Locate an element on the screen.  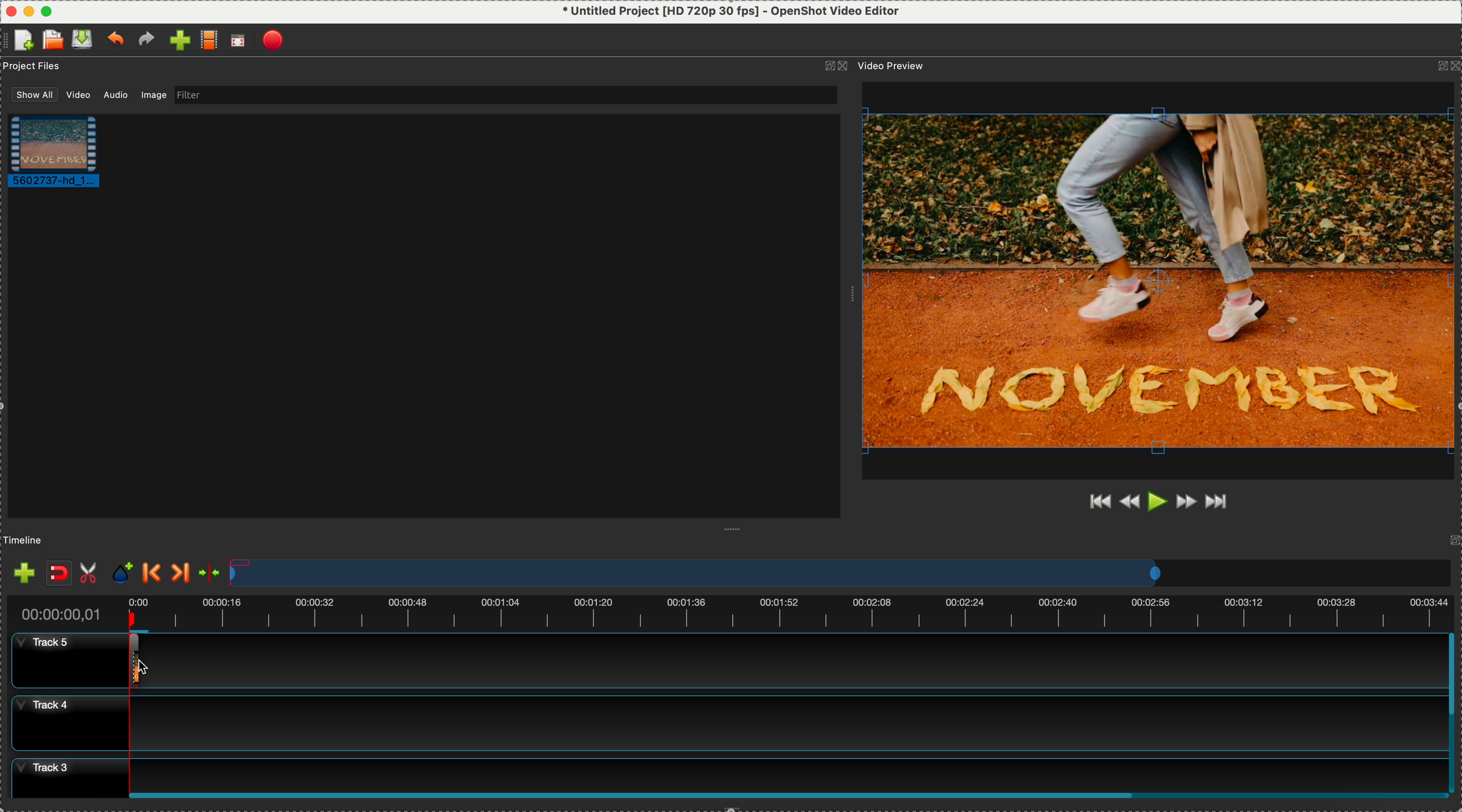
scroll bar is located at coordinates (1453, 710).